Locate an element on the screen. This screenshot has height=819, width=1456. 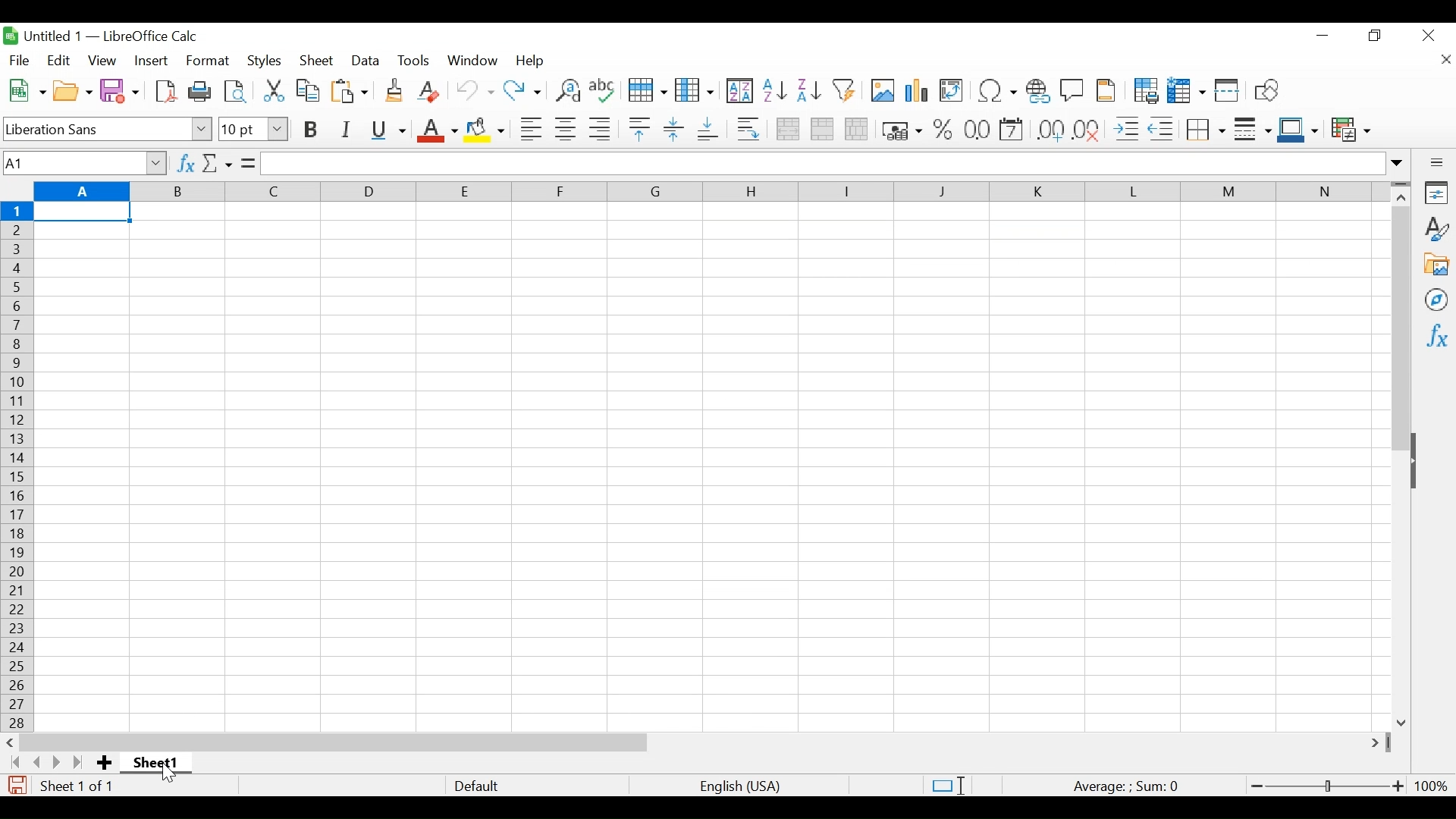
Window is located at coordinates (472, 61).